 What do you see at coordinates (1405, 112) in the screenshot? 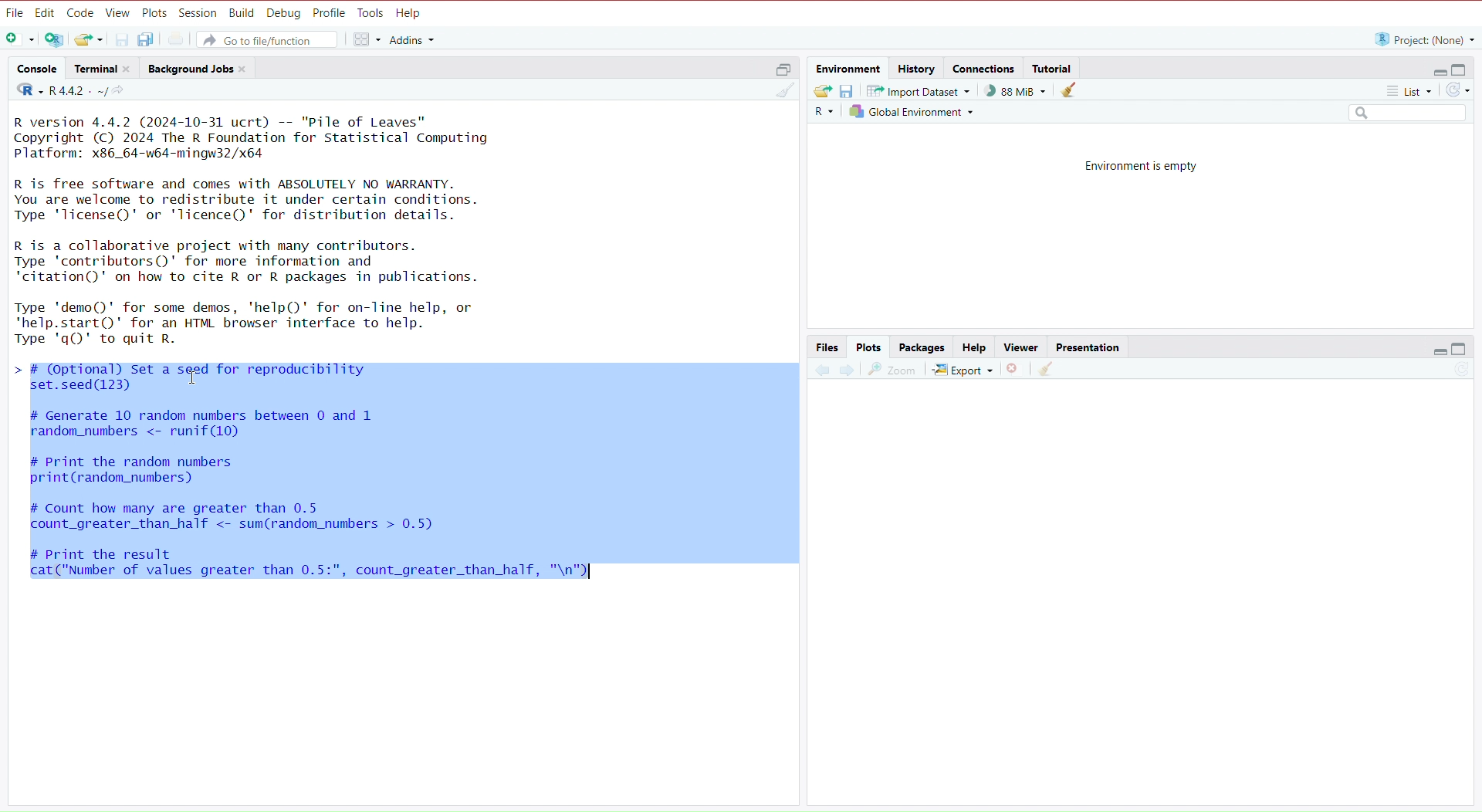
I see `Search` at bounding box center [1405, 112].